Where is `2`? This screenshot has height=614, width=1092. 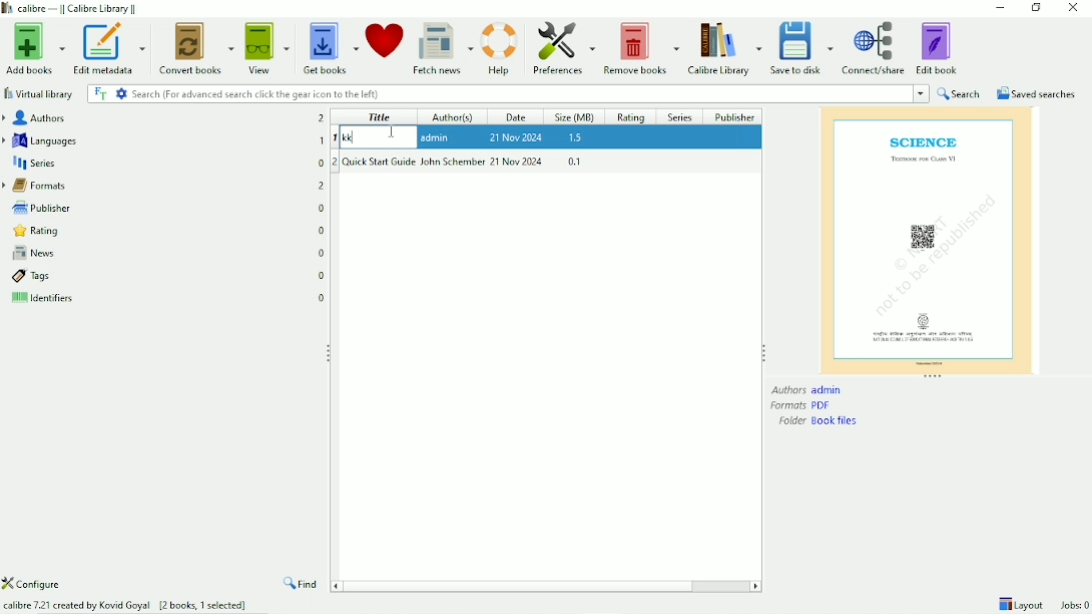
2 is located at coordinates (322, 118).